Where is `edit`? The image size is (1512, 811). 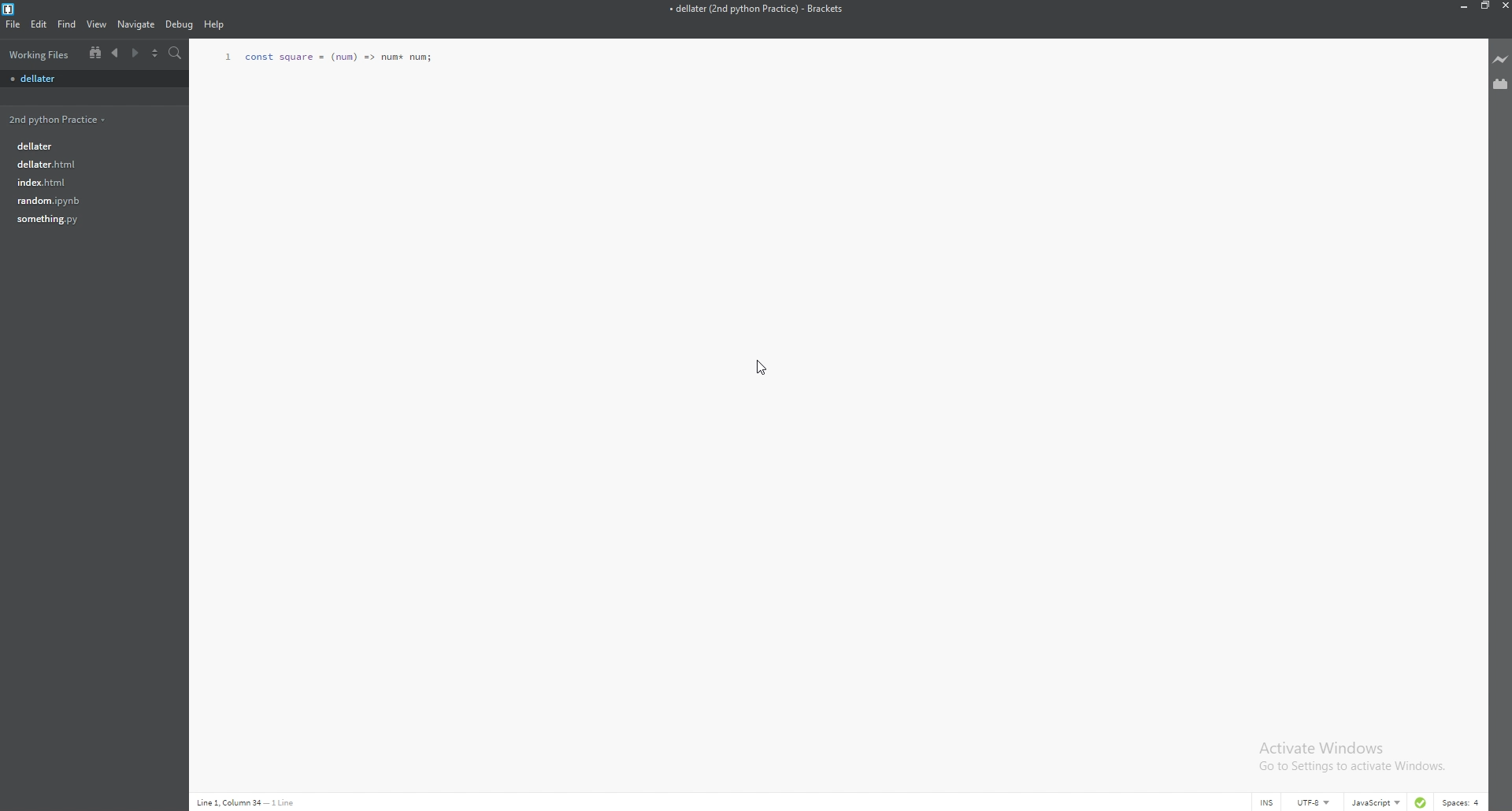
edit is located at coordinates (38, 24).